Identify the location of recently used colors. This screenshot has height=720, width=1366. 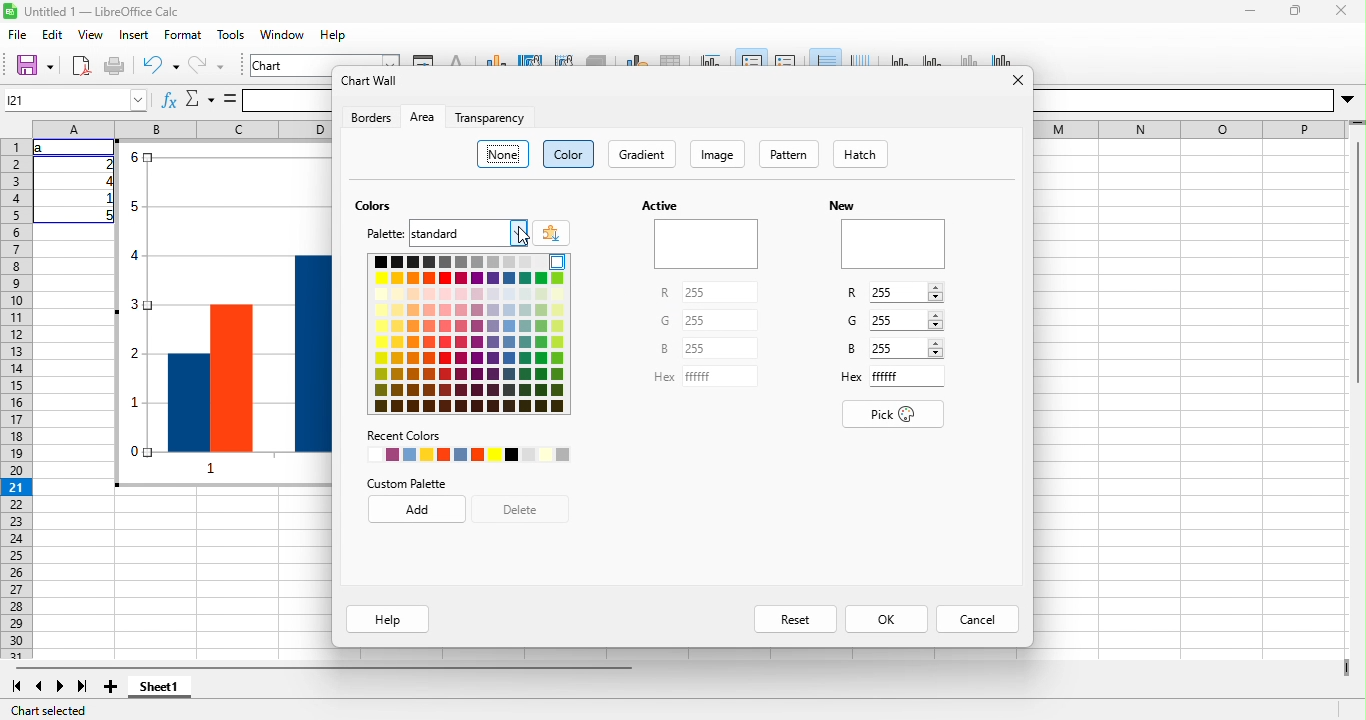
(468, 454).